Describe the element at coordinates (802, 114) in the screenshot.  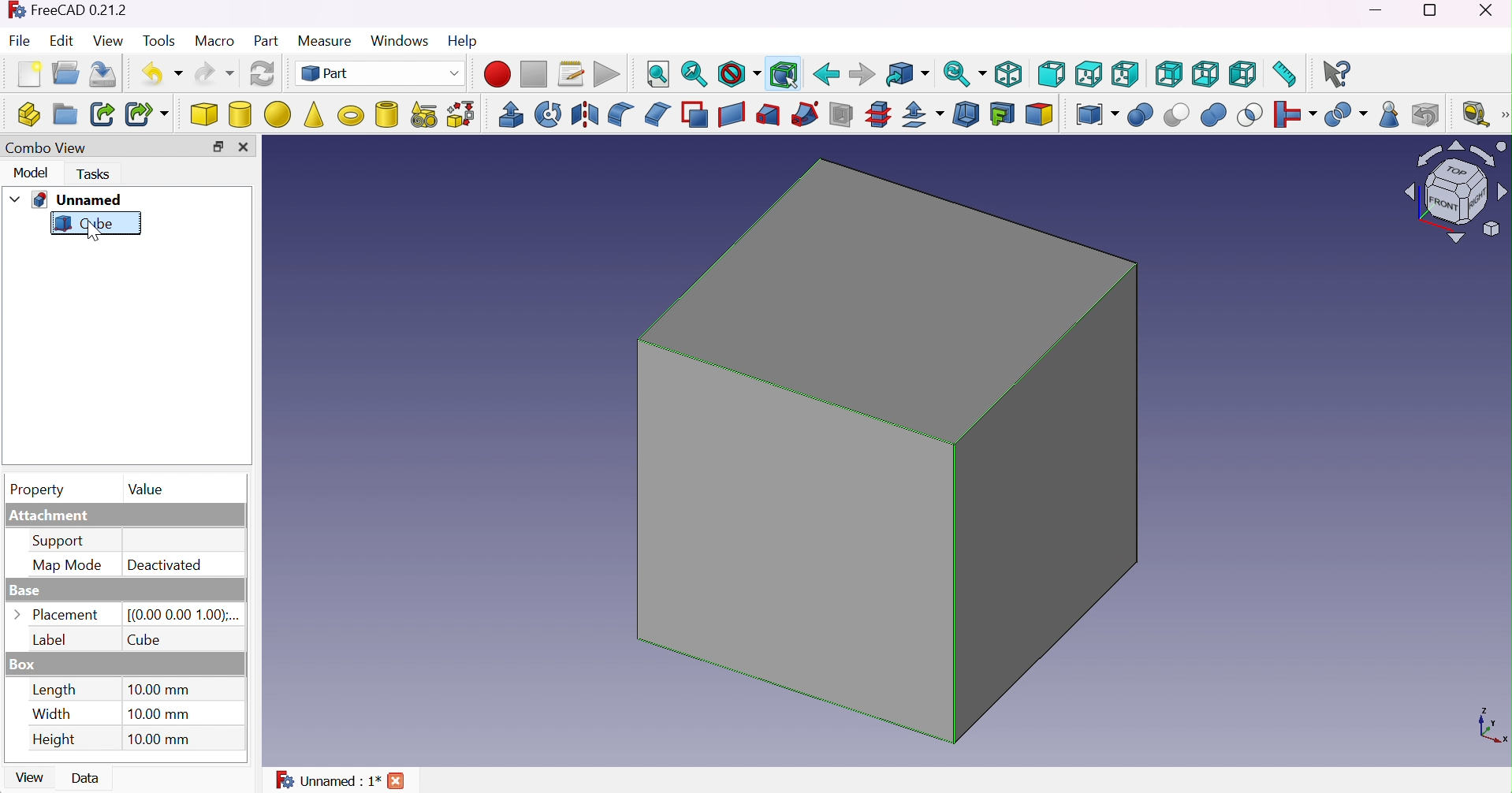
I see `Sweep` at that location.